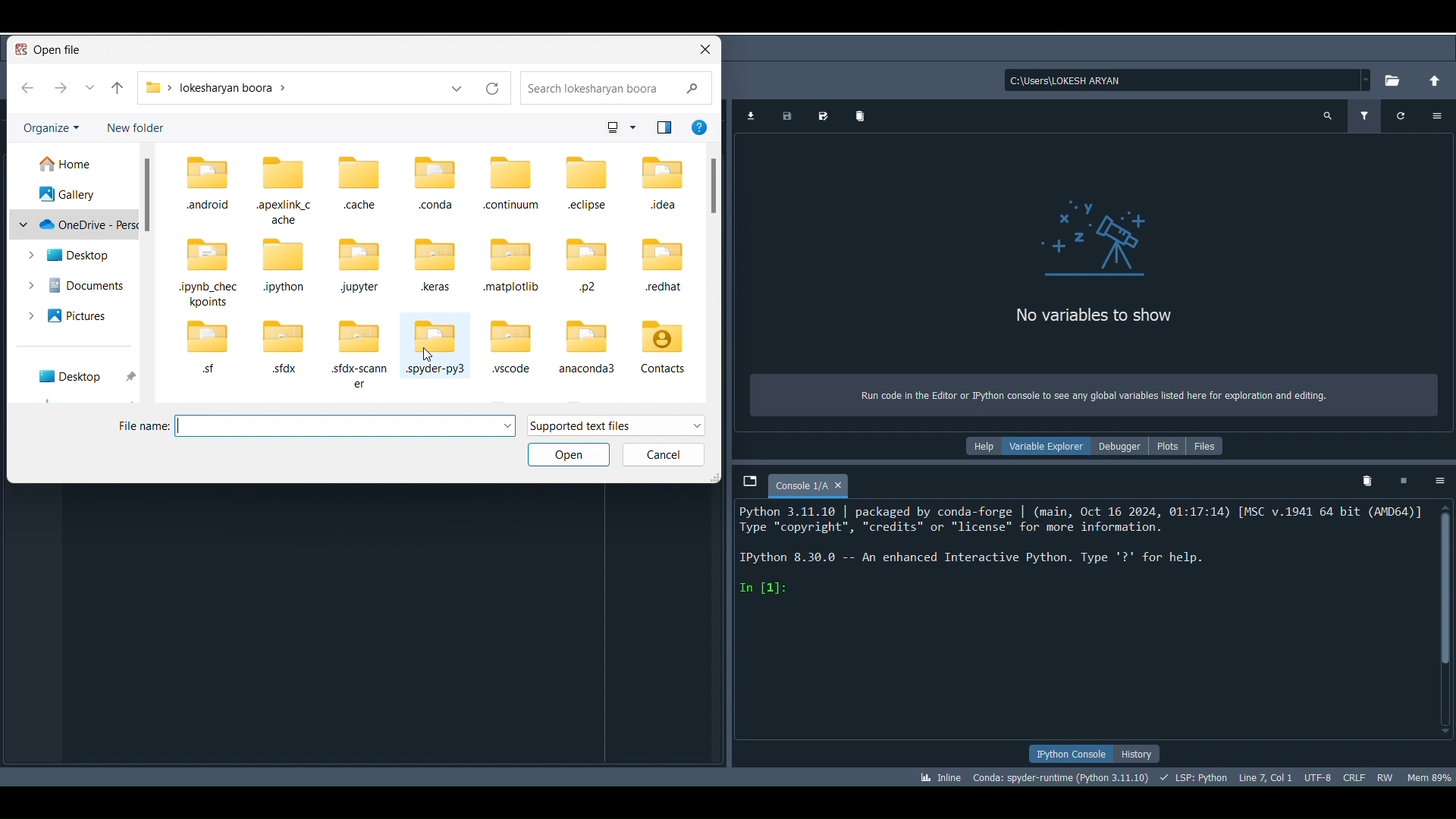 The height and width of the screenshot is (819, 1456). What do you see at coordinates (144, 428) in the screenshot?
I see `File Name` at bounding box center [144, 428].